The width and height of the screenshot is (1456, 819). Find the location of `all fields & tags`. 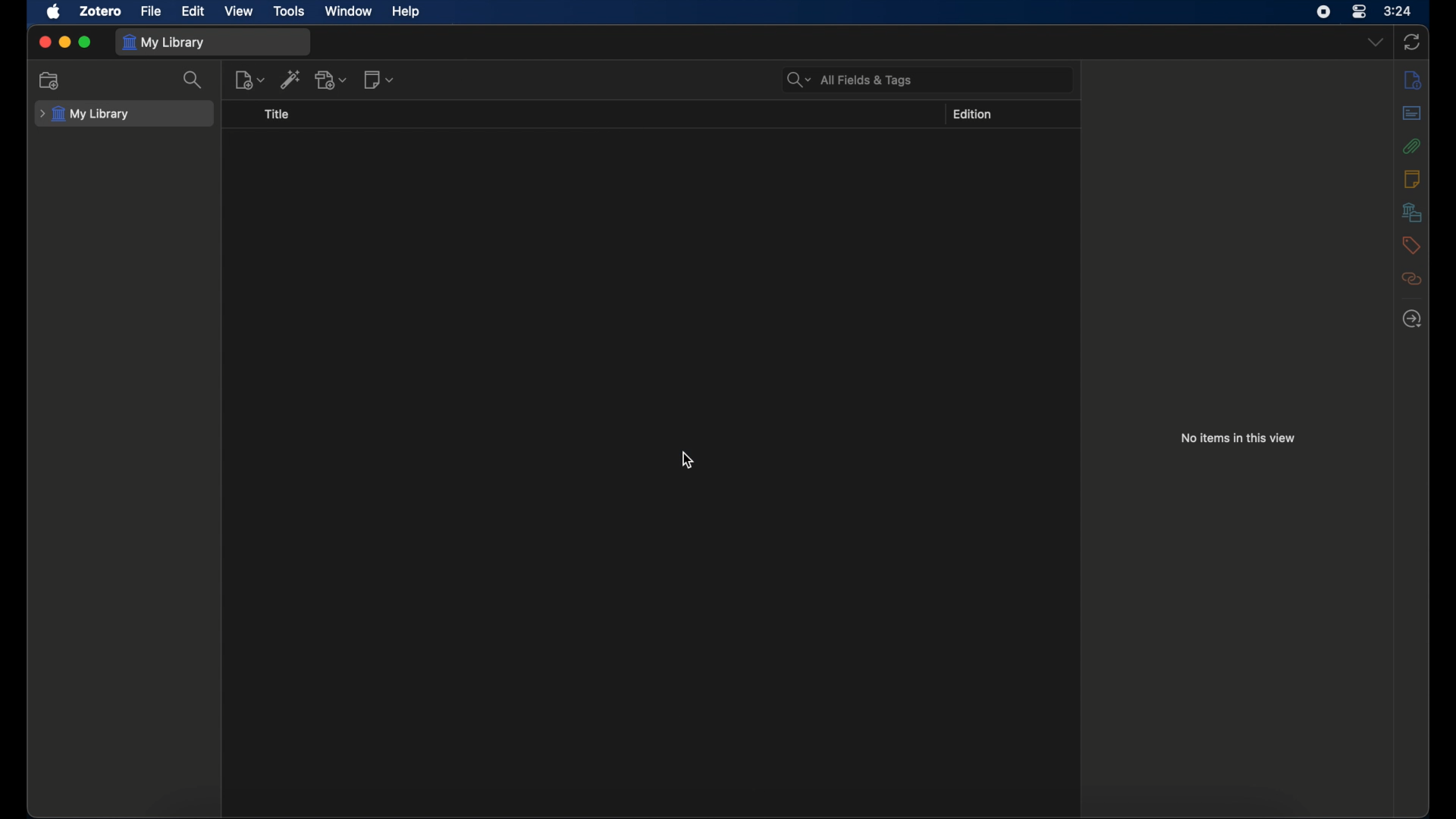

all fields & tags is located at coordinates (850, 80).